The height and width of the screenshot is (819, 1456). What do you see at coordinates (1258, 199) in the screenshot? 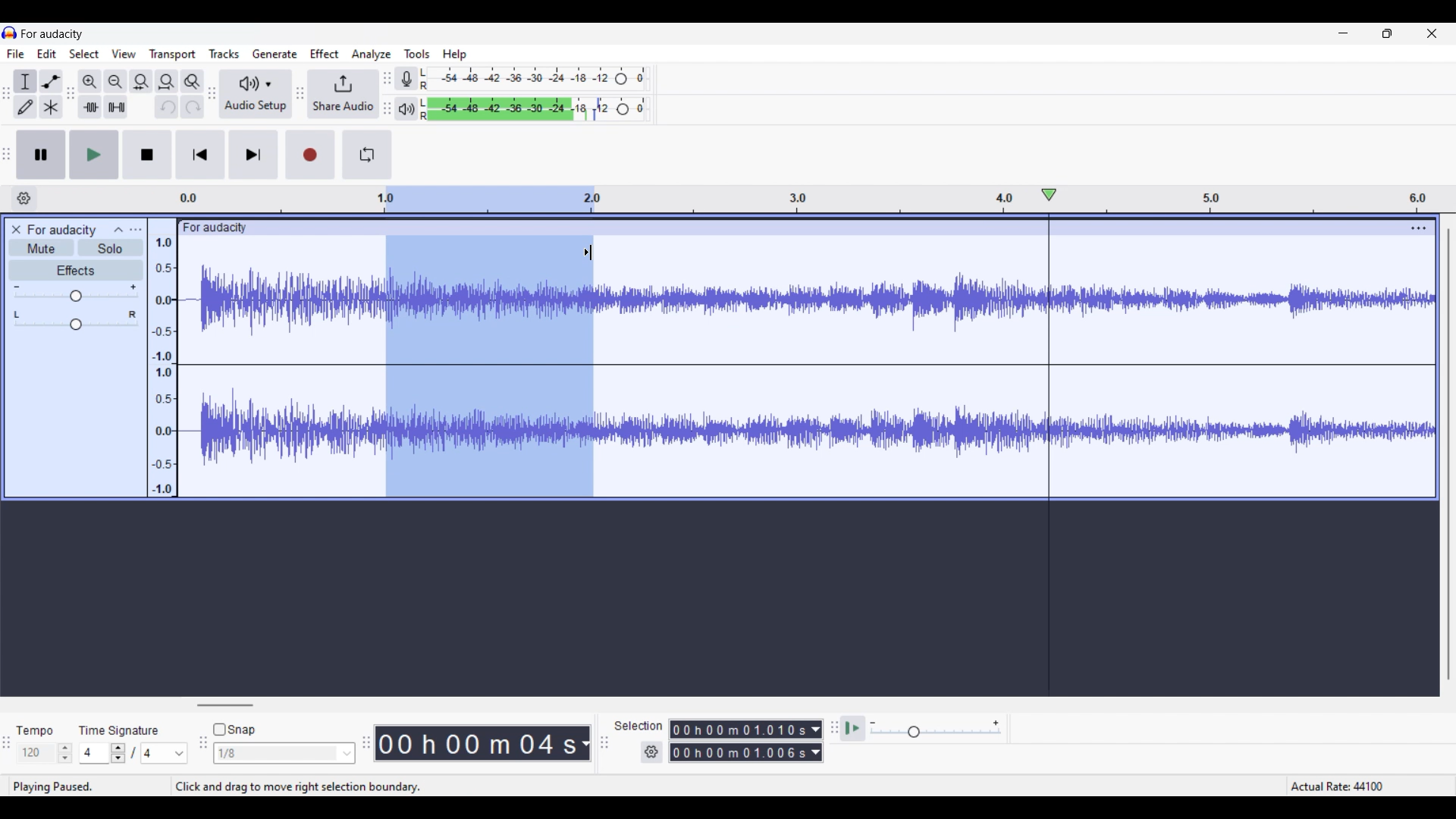
I see `Scale to measure length of track` at bounding box center [1258, 199].